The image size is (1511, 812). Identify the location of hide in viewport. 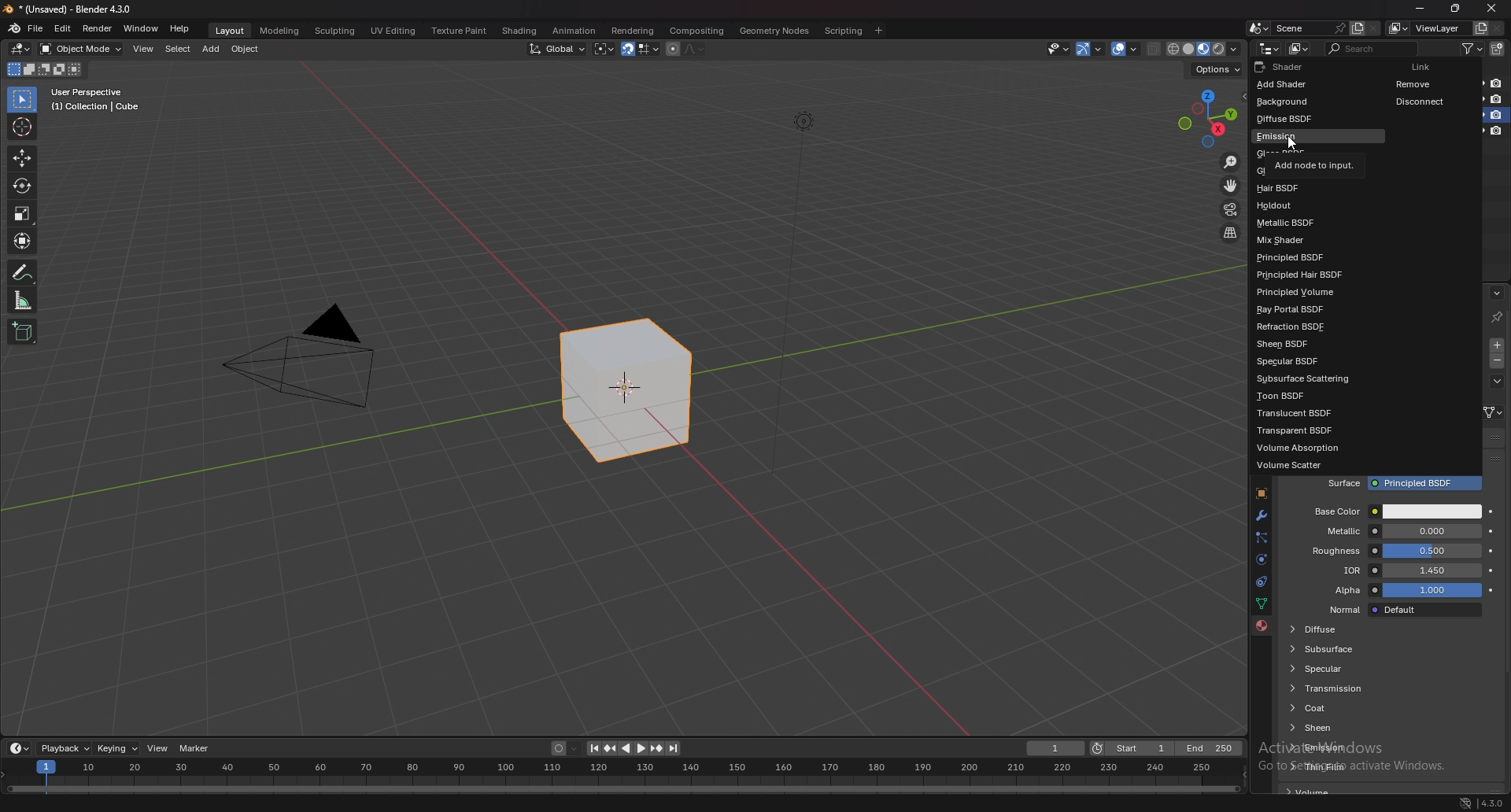
(1478, 115).